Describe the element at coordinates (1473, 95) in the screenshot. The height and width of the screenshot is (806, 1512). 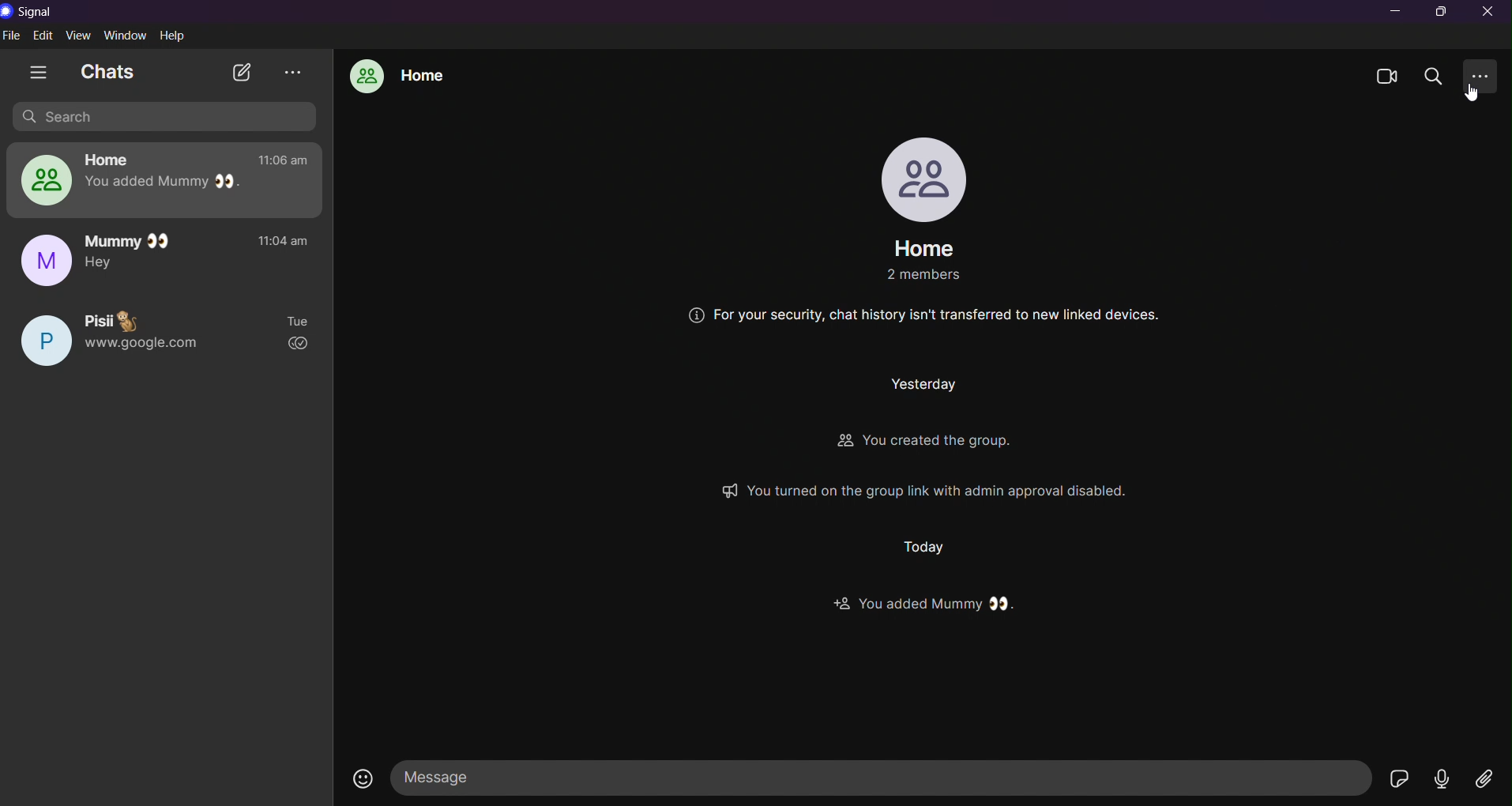
I see `Cursor` at that location.